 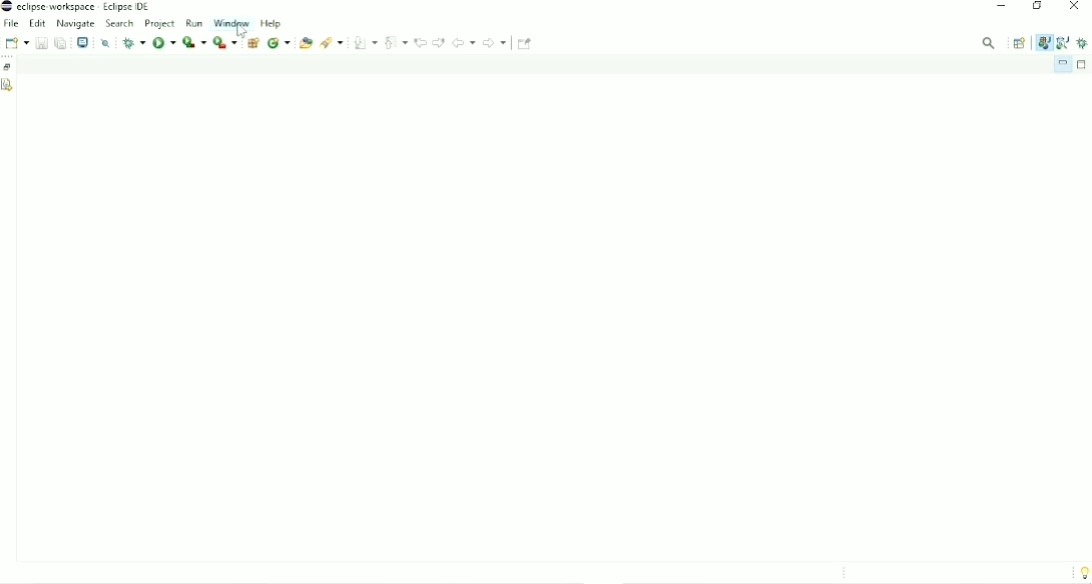 I want to click on Edit, so click(x=38, y=23).